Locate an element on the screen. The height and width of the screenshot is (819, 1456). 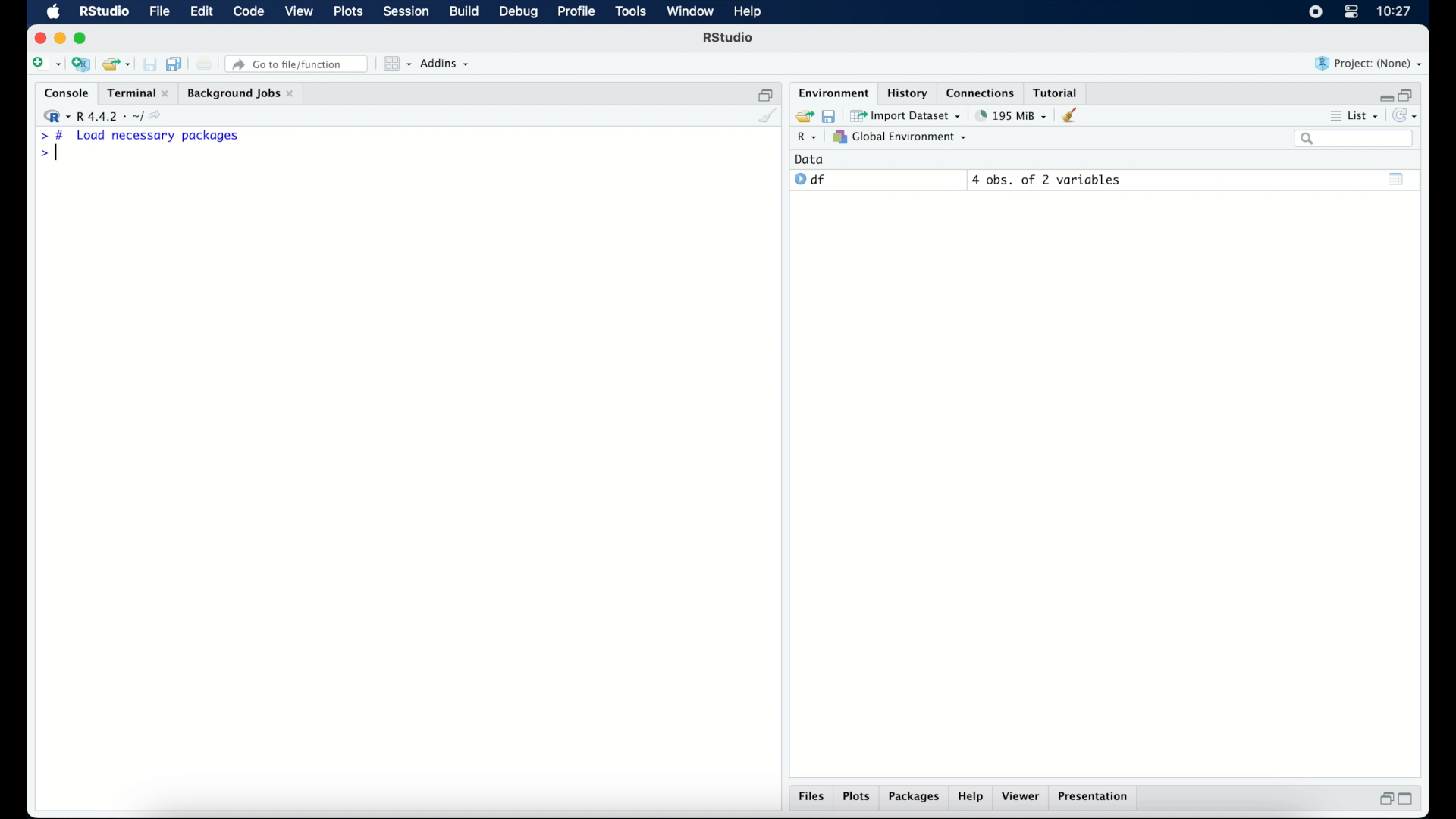
project (none) is located at coordinates (1370, 64).